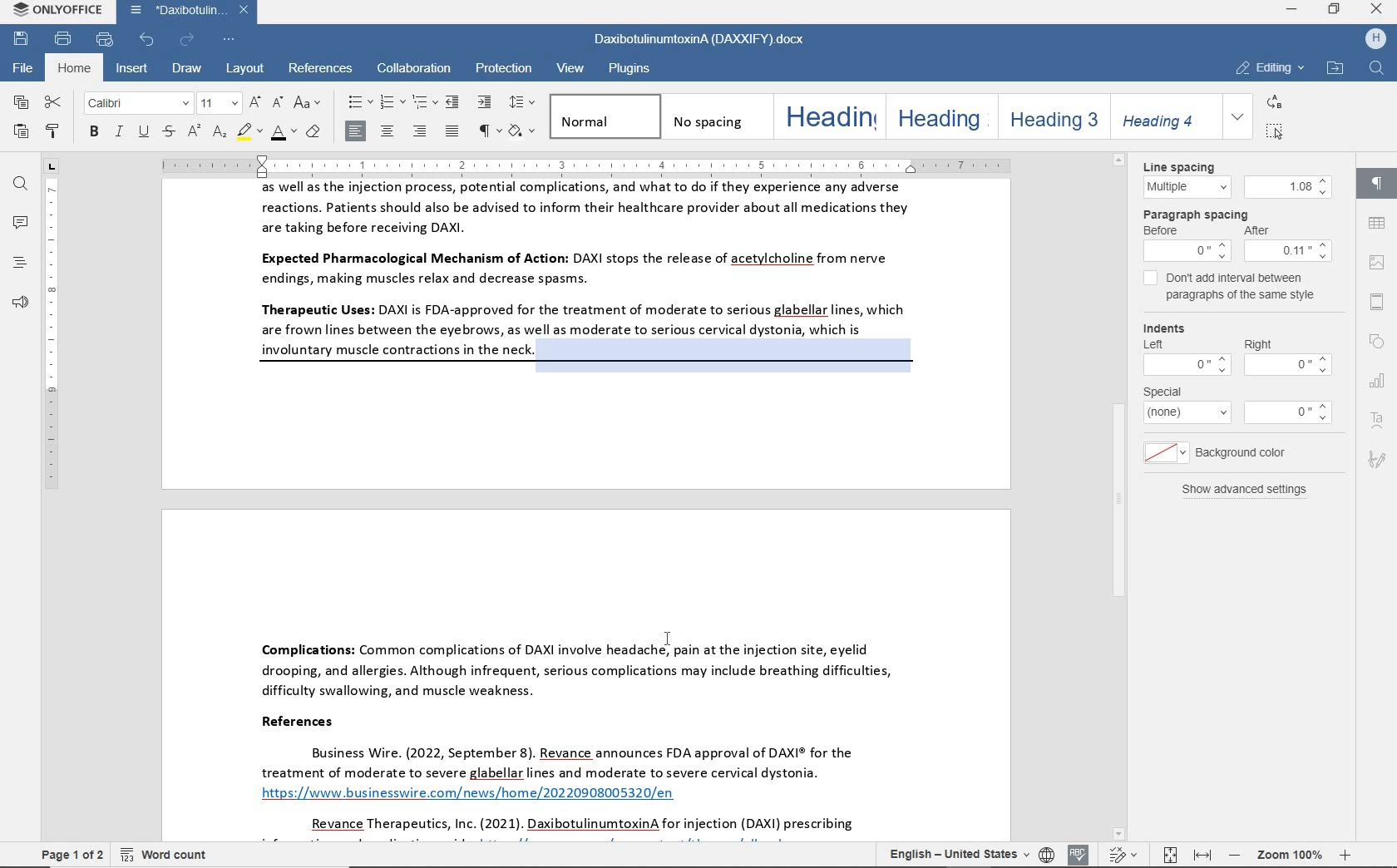  I want to click on underline, so click(143, 133).